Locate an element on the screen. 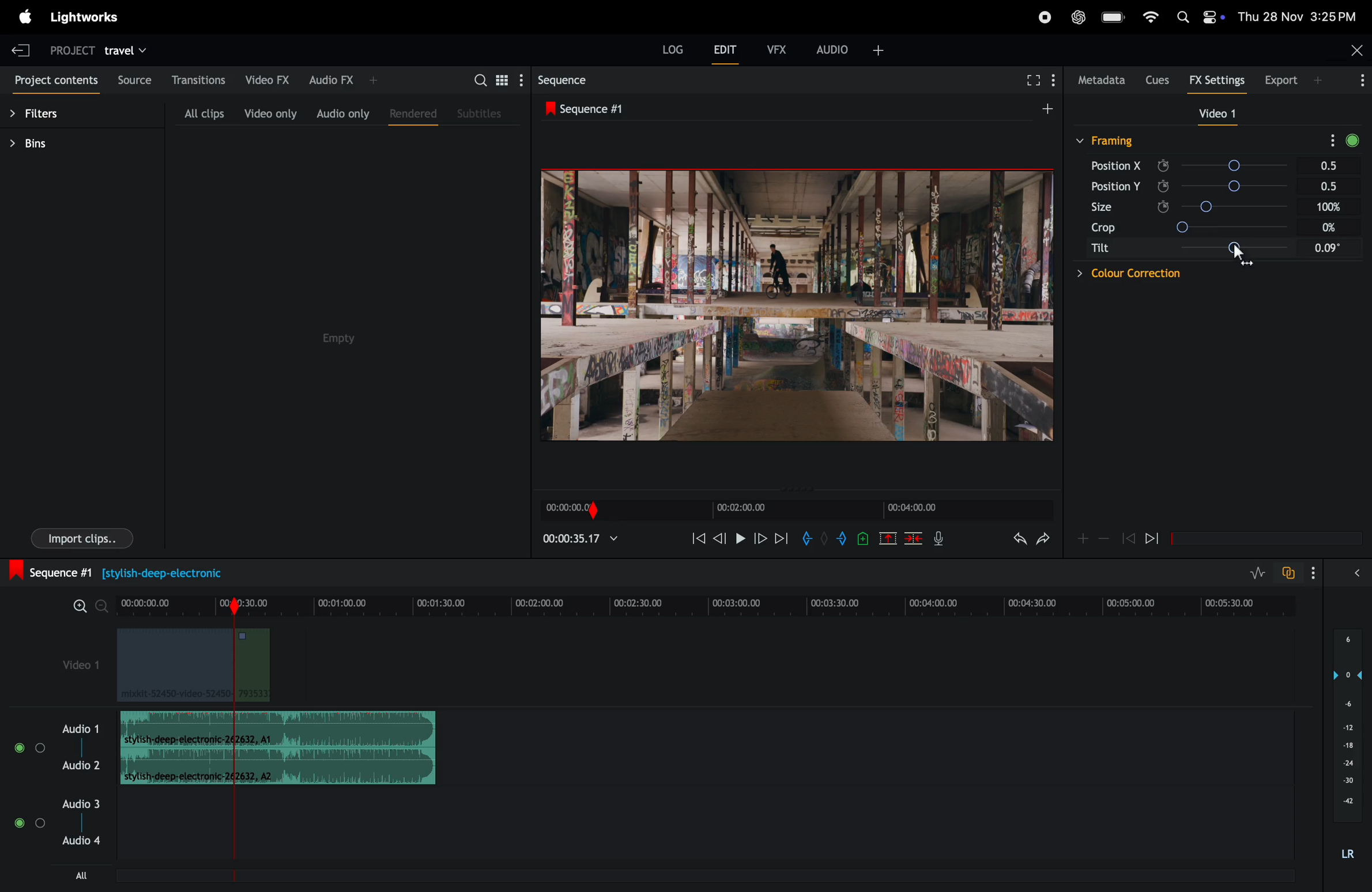 Image resolution: width=1372 pixels, height=892 pixels. battery is located at coordinates (1111, 17).